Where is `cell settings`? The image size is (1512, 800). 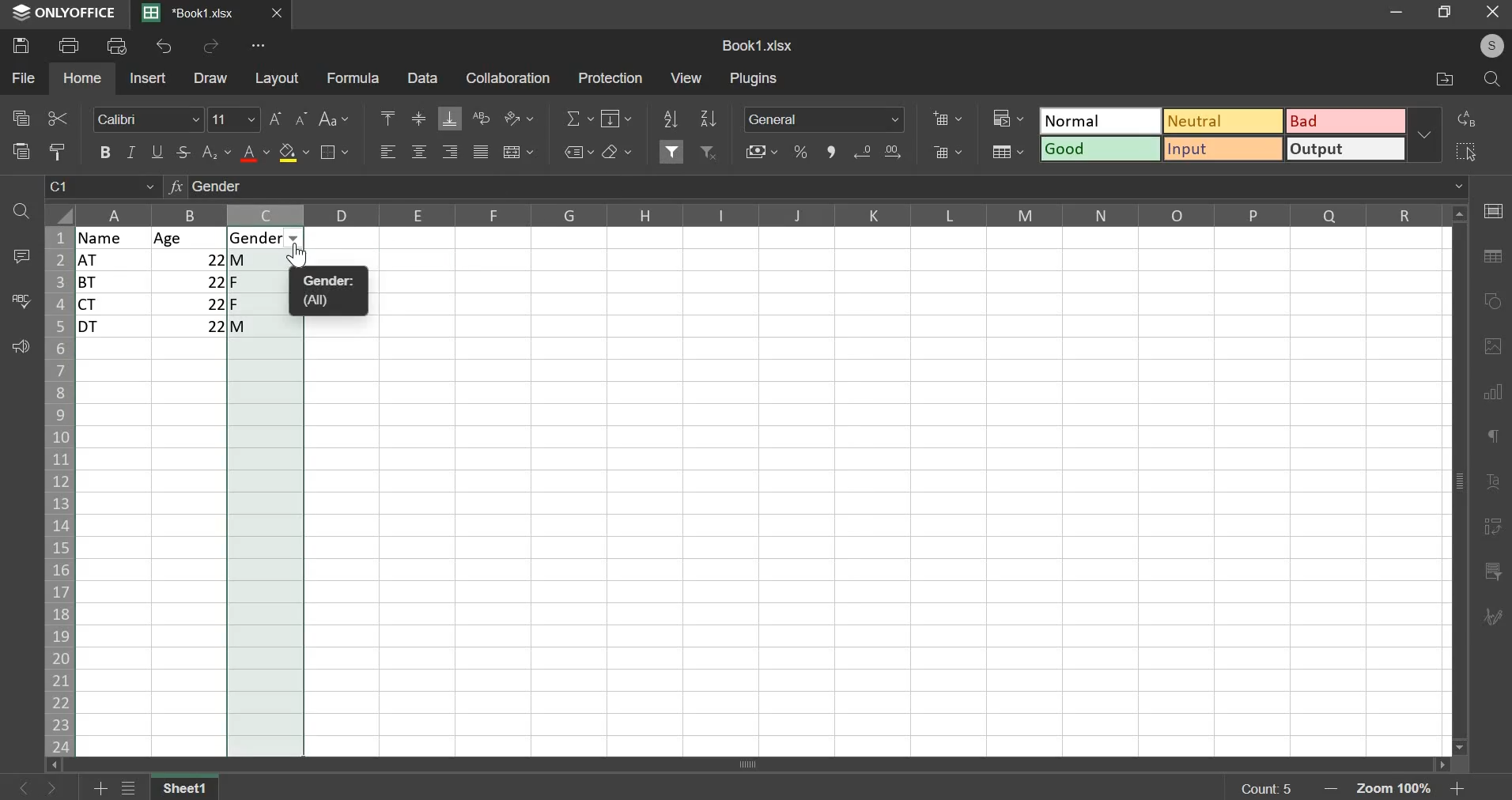
cell settings is located at coordinates (1493, 210).